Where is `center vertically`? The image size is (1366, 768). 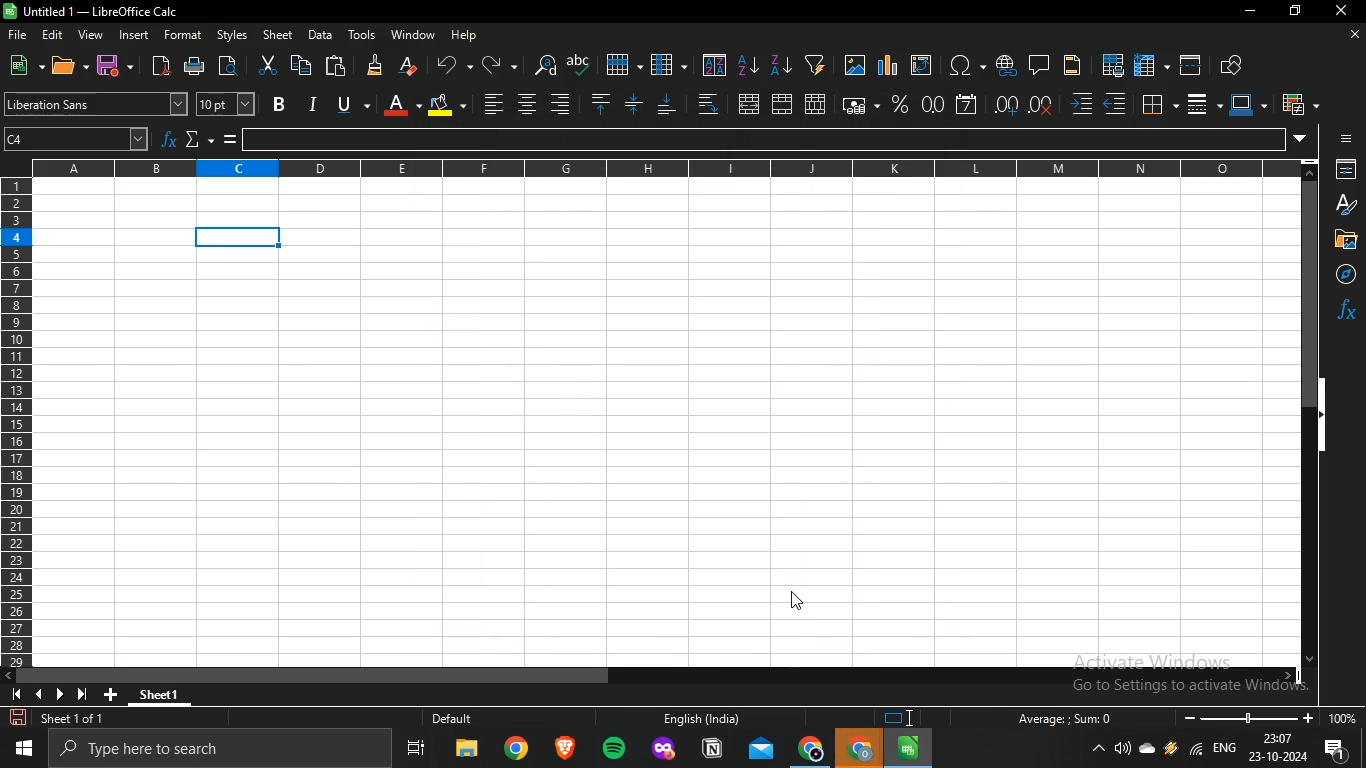 center vertically is located at coordinates (633, 103).